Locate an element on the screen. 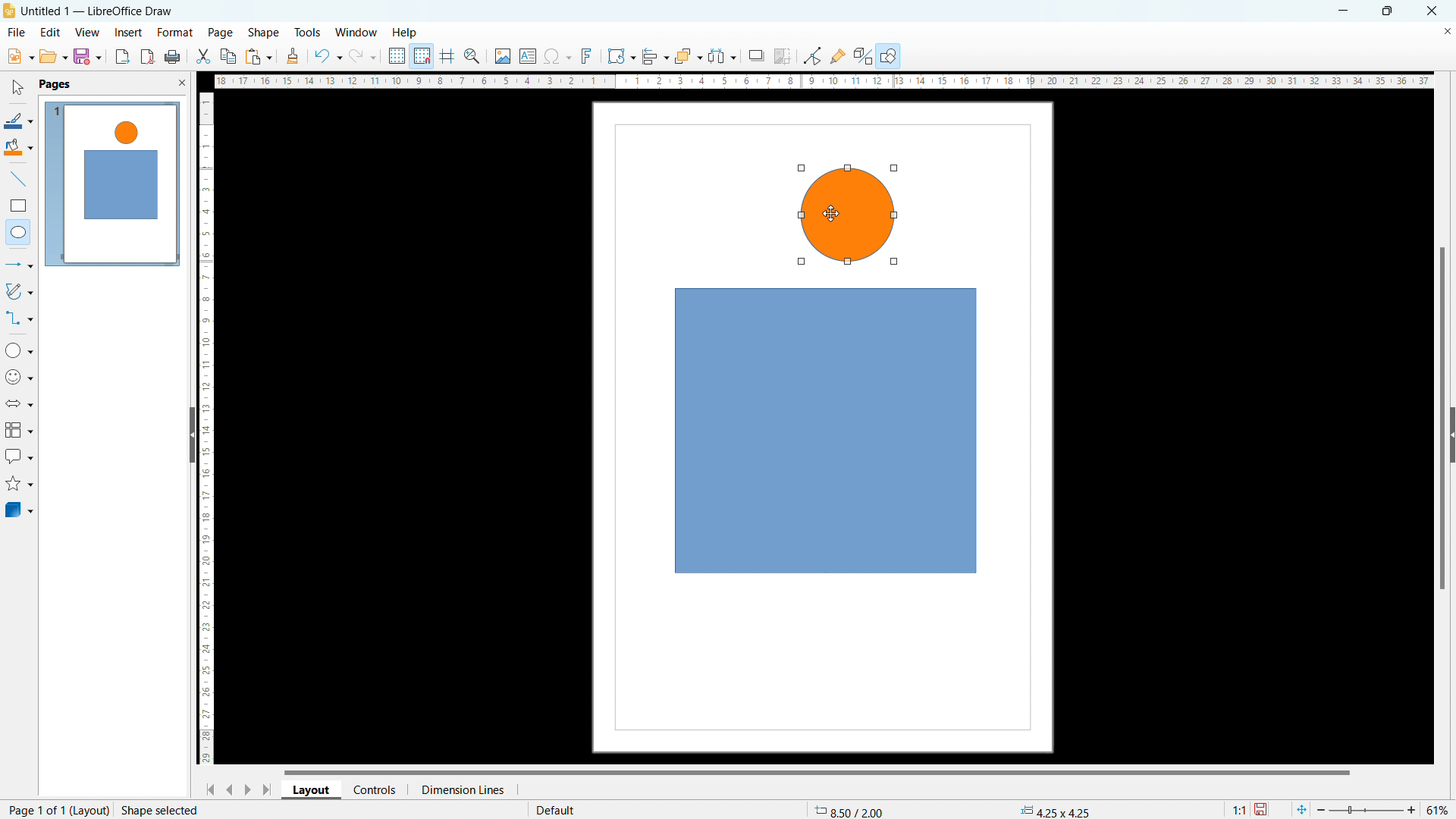 Image resolution: width=1456 pixels, height=819 pixels. cursor is located at coordinates (832, 214).